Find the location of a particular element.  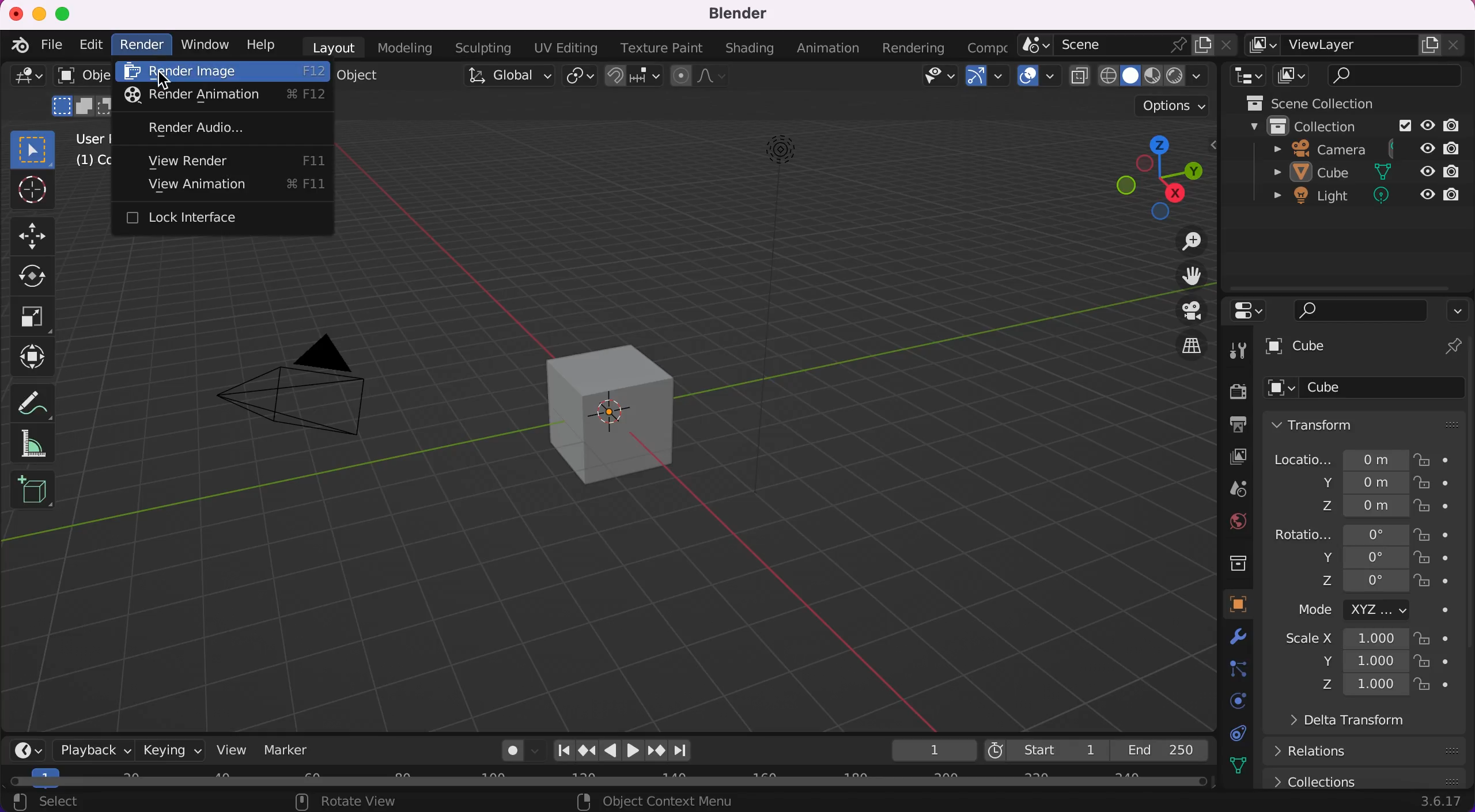

options is located at coordinates (1458, 313).